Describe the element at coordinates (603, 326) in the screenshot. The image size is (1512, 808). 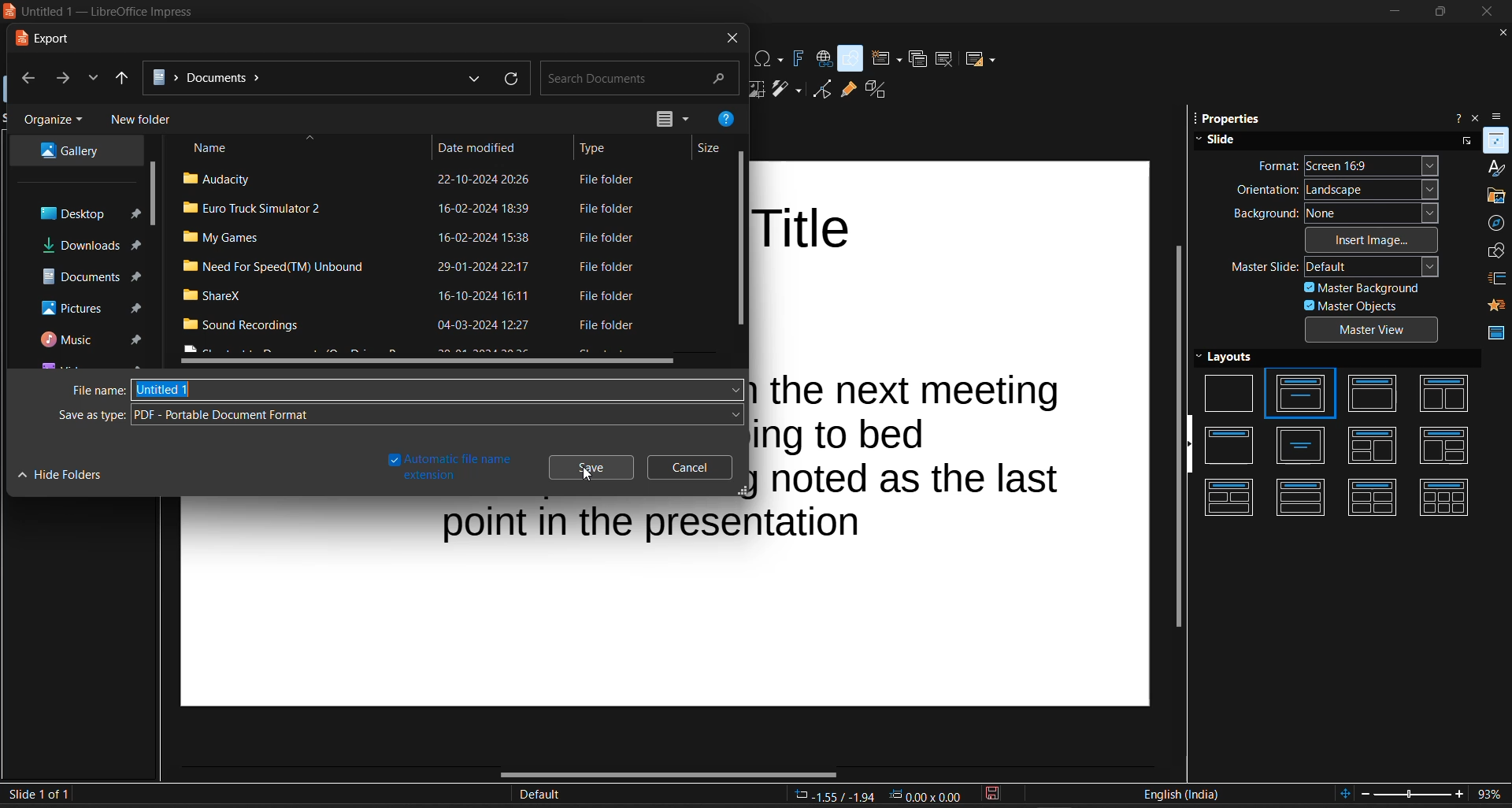
I see `file folder` at that location.